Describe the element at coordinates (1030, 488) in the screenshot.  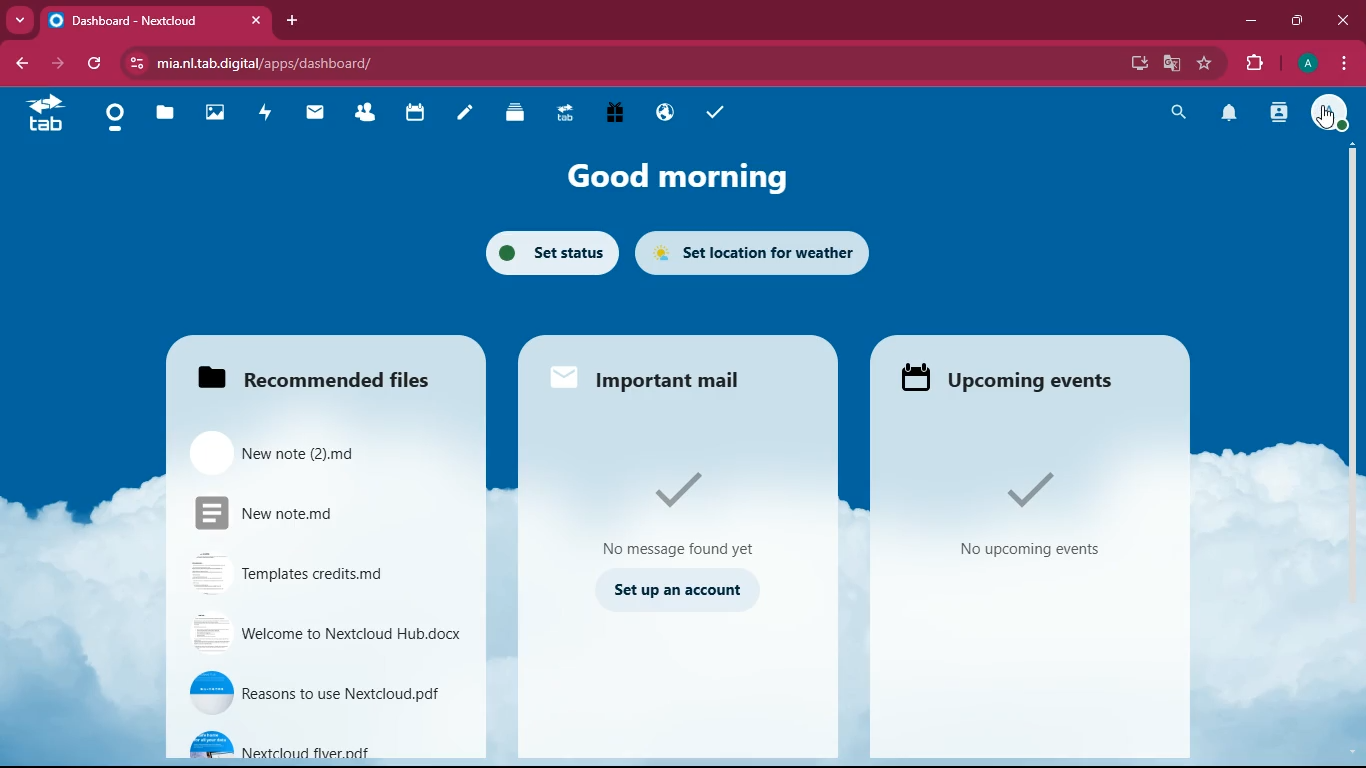
I see `Tick` at that location.